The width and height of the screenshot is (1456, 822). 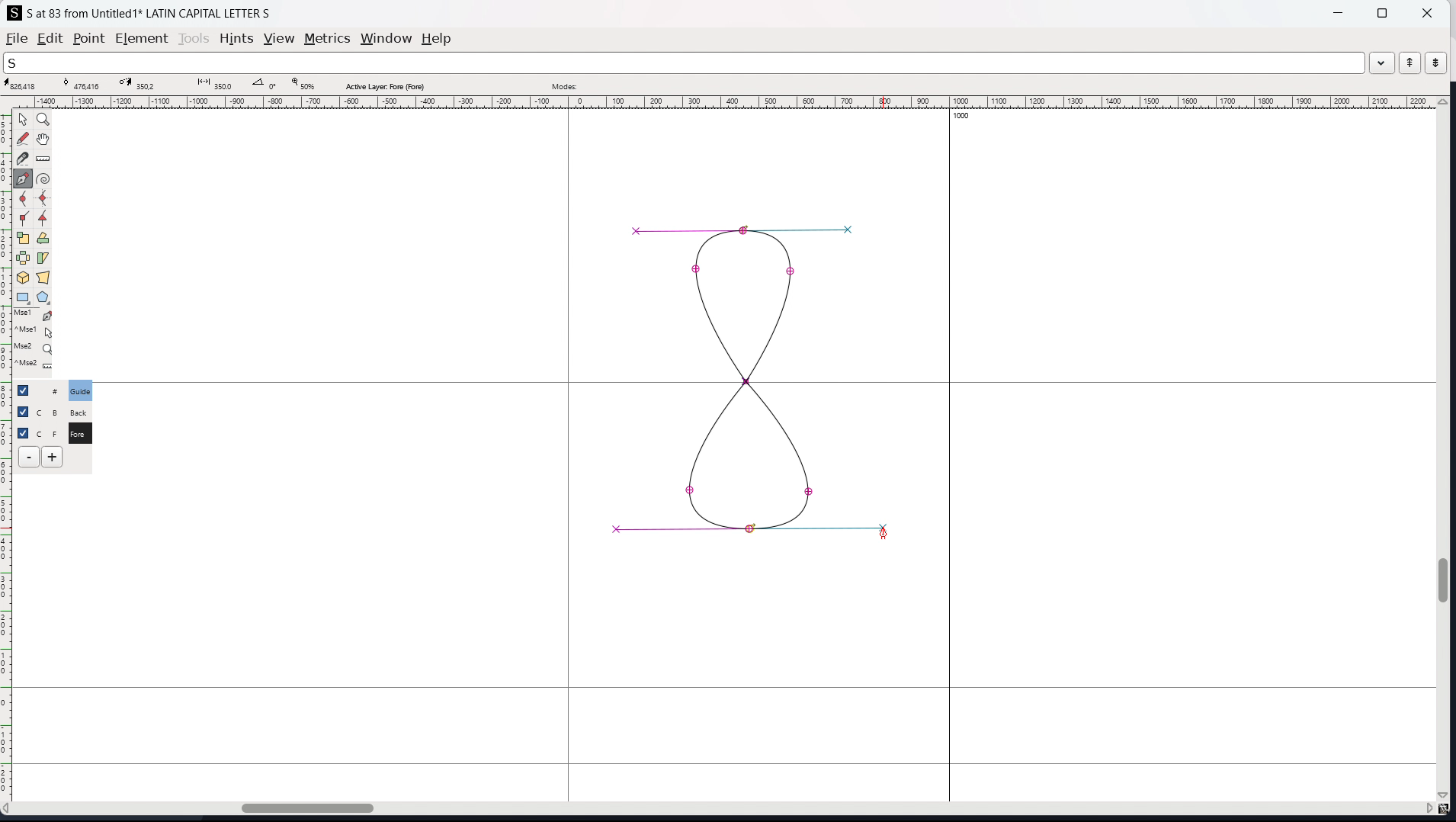 What do you see at coordinates (564, 85) in the screenshot?
I see `modes` at bounding box center [564, 85].